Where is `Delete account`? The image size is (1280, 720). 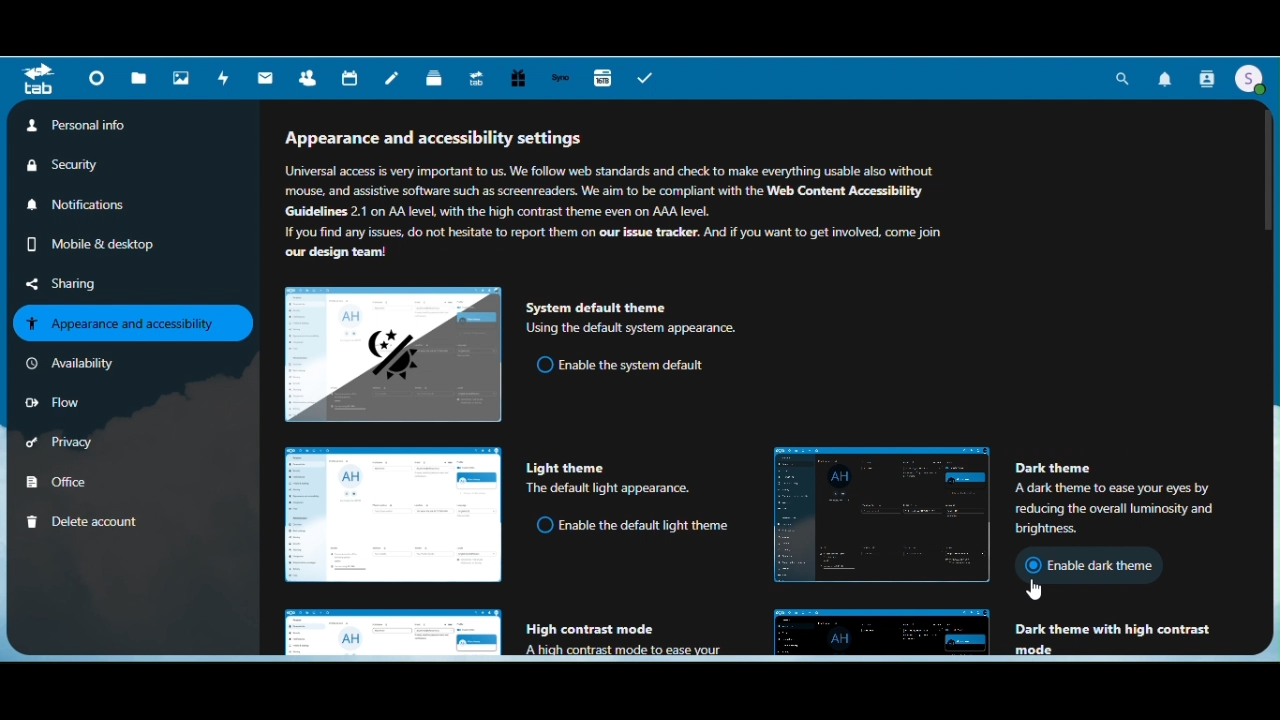 Delete account is located at coordinates (104, 521).